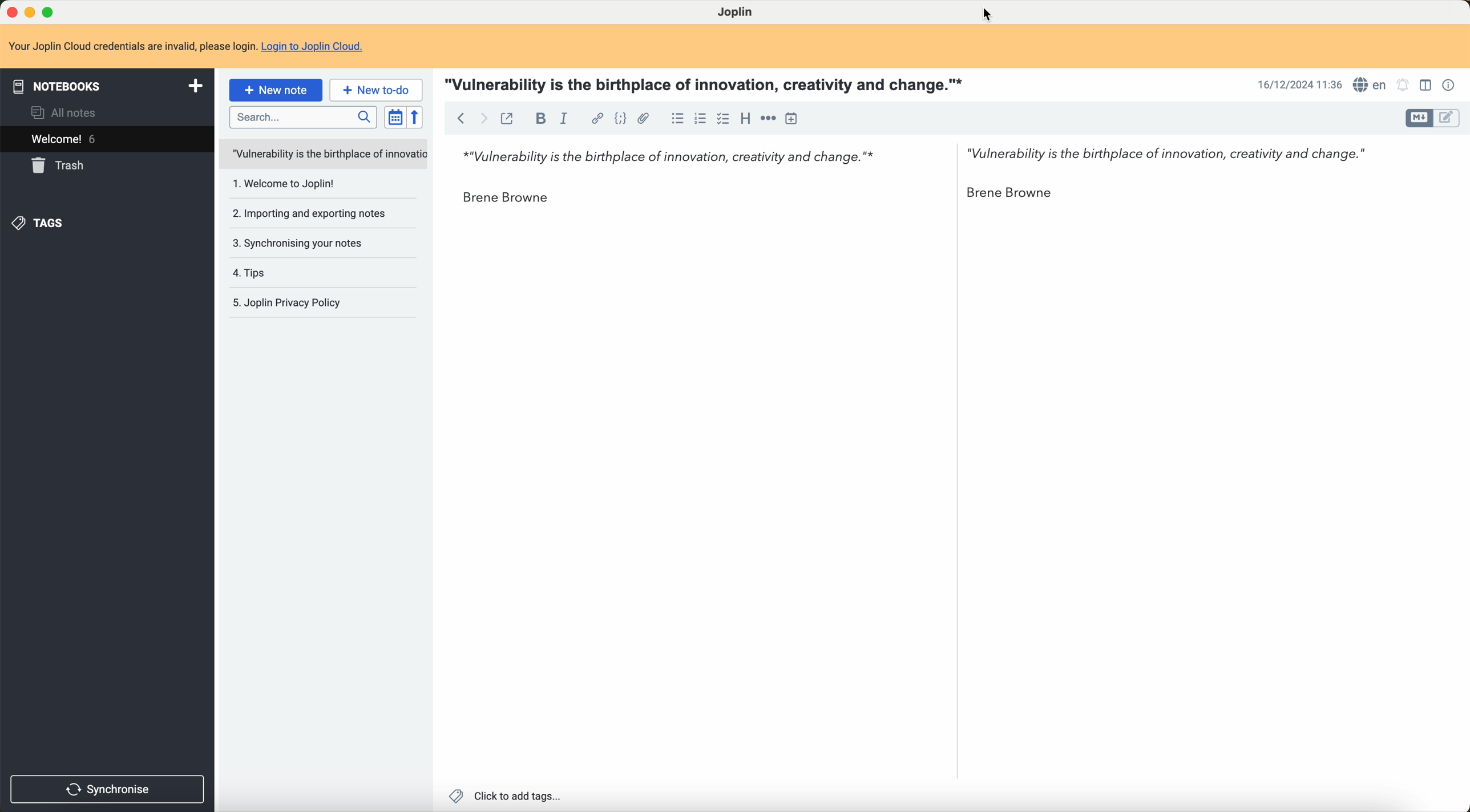 This screenshot has width=1470, height=812. I want to click on note, so click(132, 46).